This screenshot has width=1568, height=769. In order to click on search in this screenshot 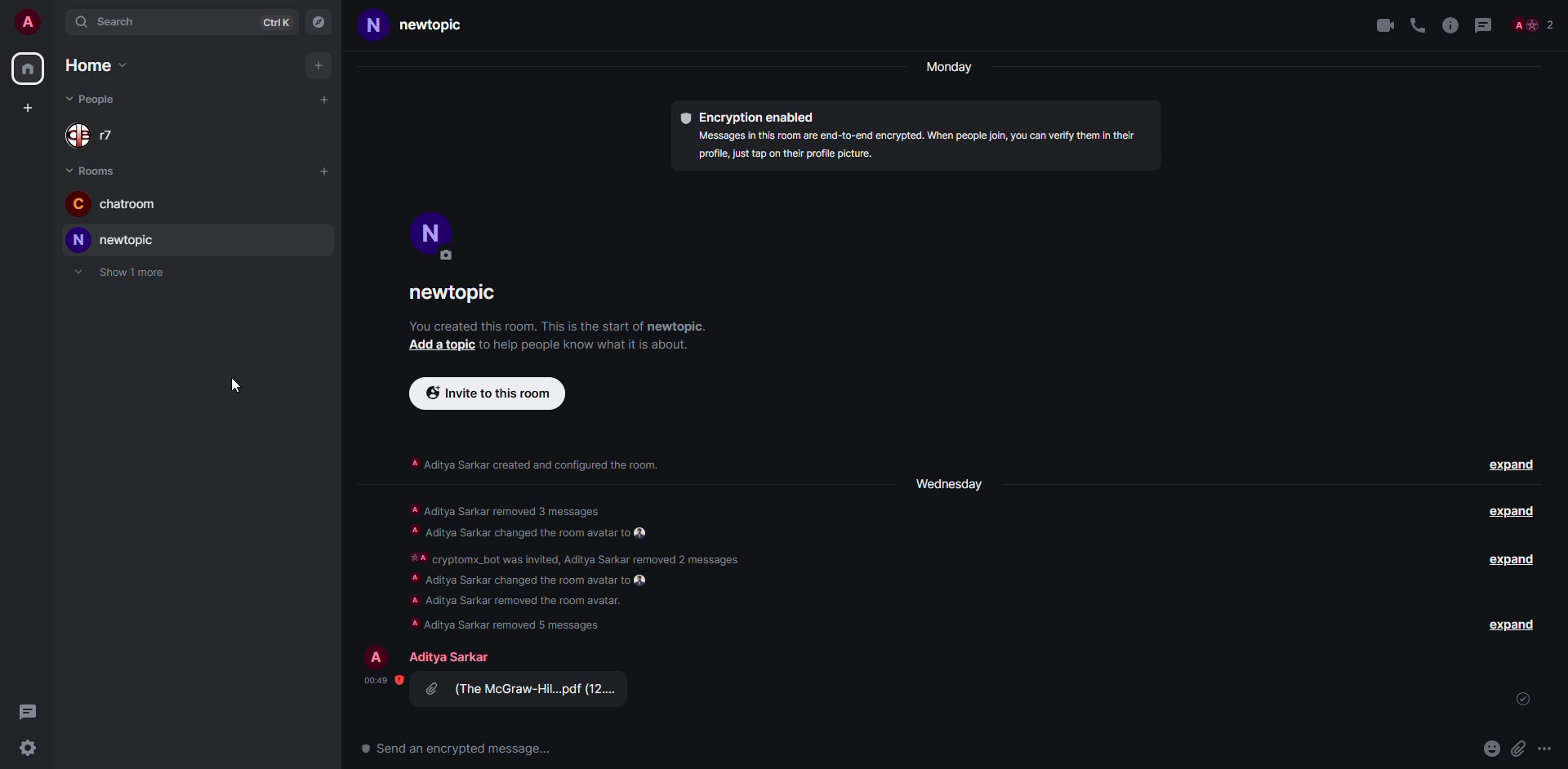, I will do `click(109, 22)`.